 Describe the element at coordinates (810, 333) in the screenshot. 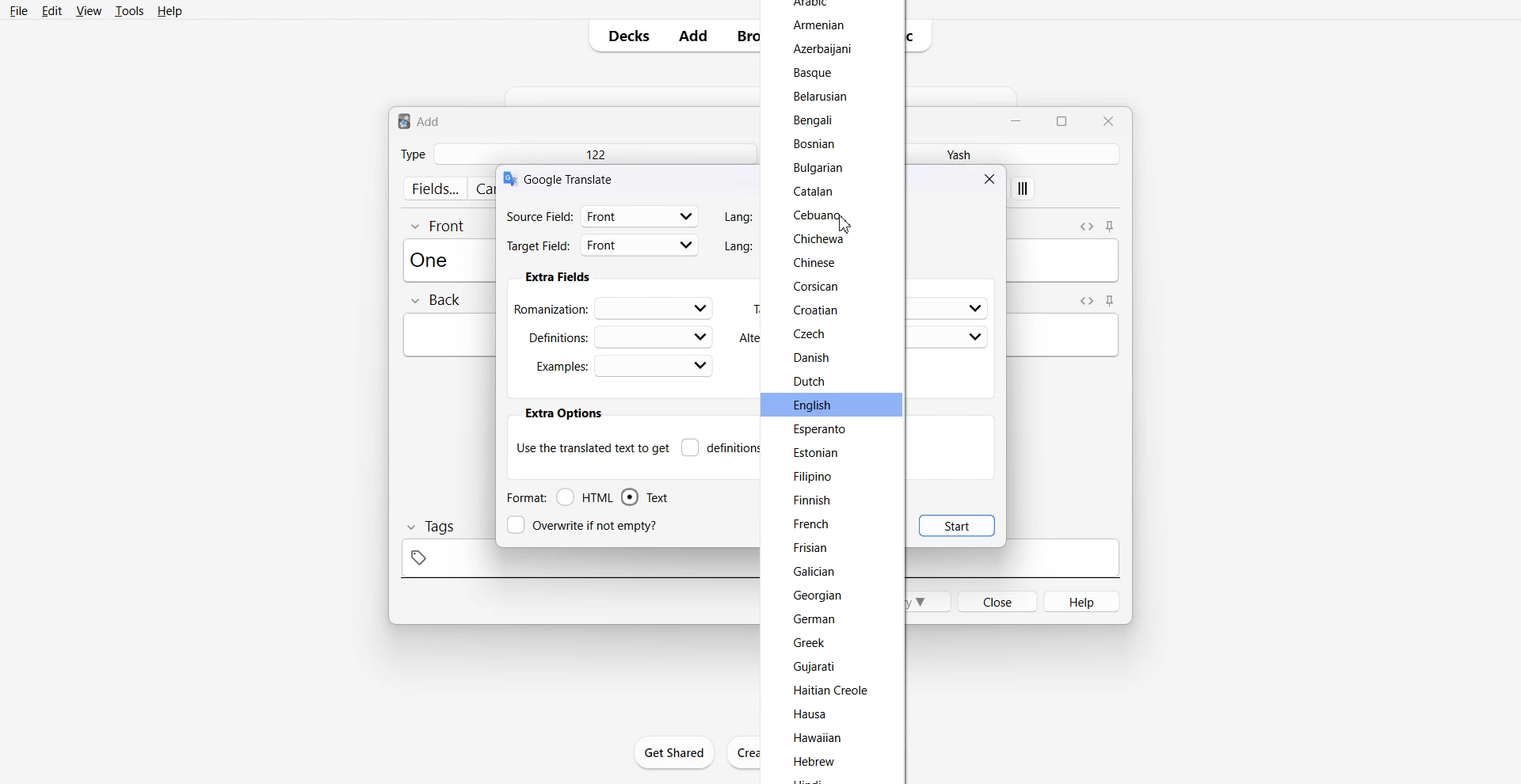

I see `Czech` at that location.